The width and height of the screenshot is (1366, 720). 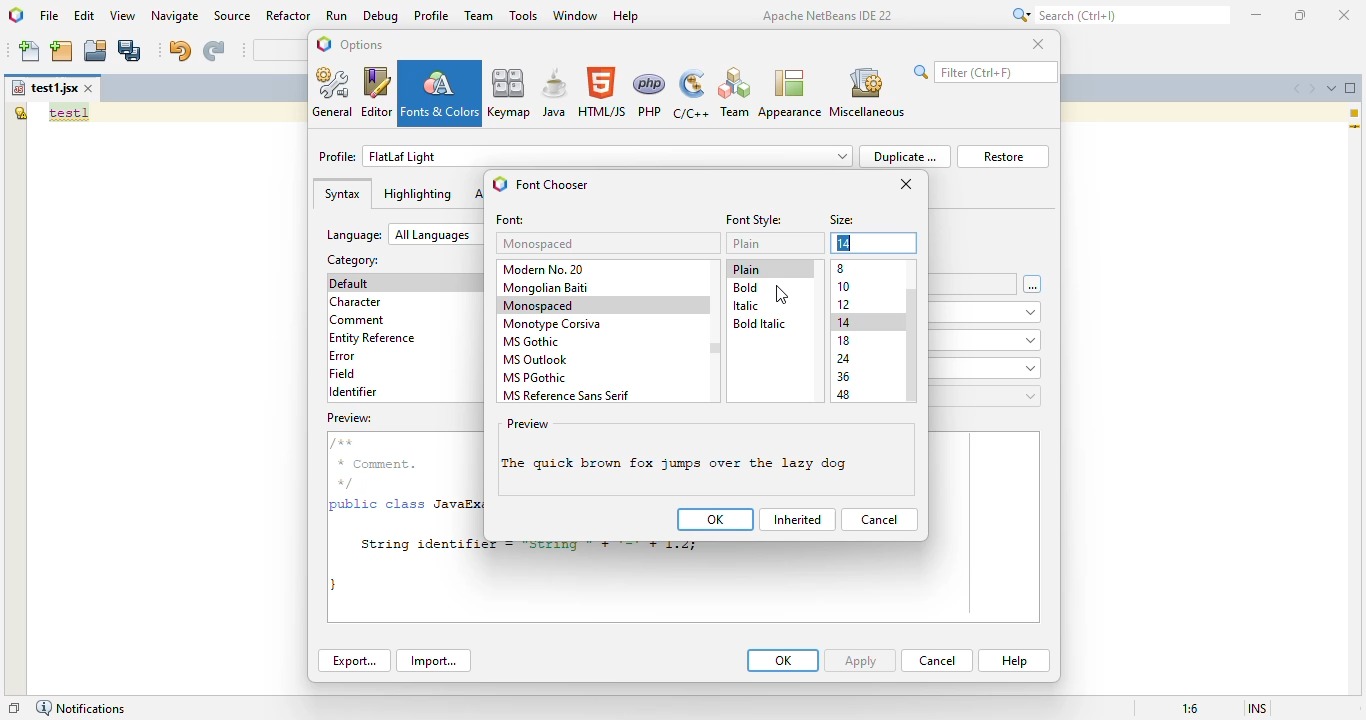 I want to click on cancel, so click(x=937, y=660).